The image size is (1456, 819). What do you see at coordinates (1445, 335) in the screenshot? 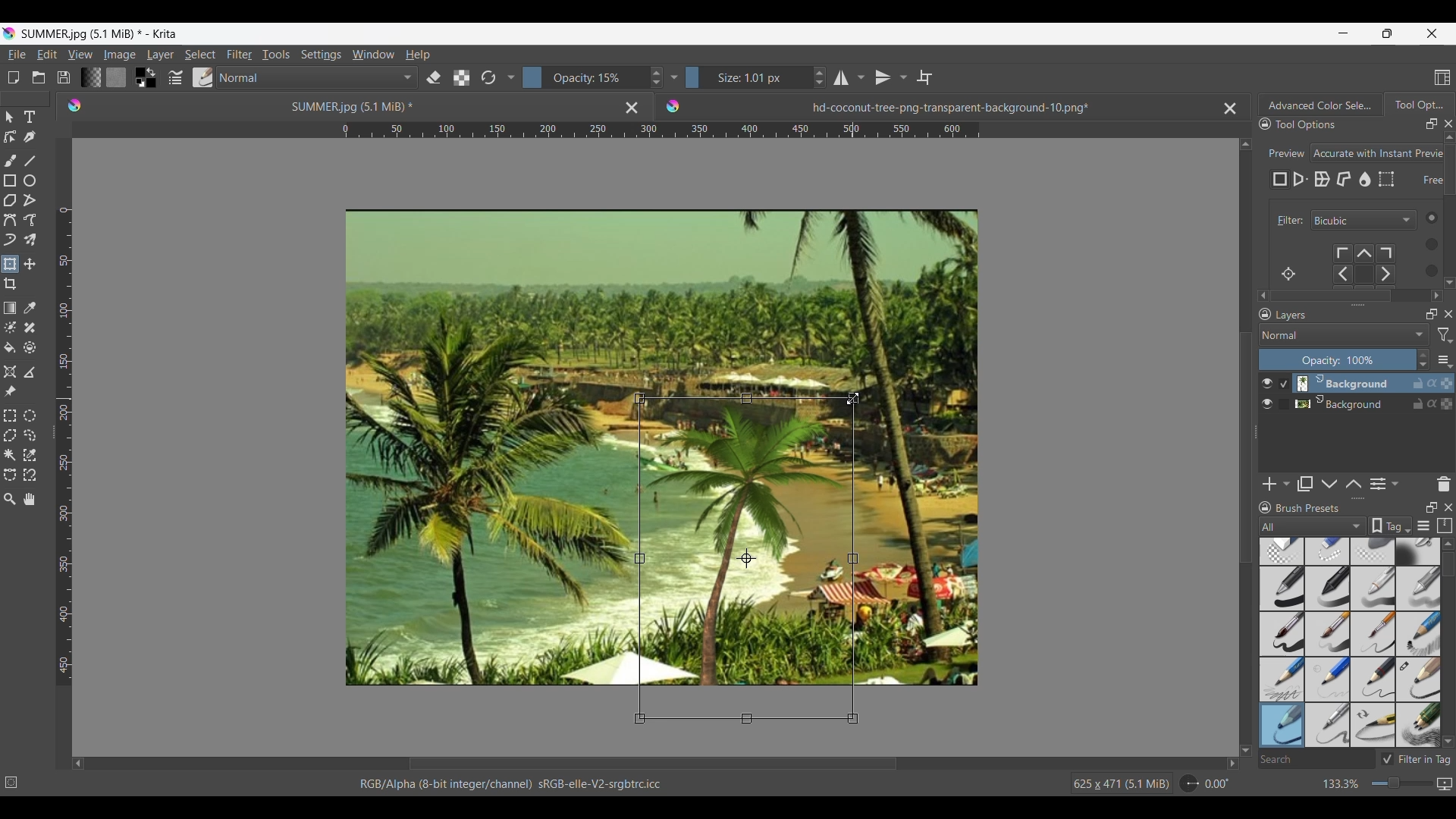
I see `Filter layers` at bounding box center [1445, 335].